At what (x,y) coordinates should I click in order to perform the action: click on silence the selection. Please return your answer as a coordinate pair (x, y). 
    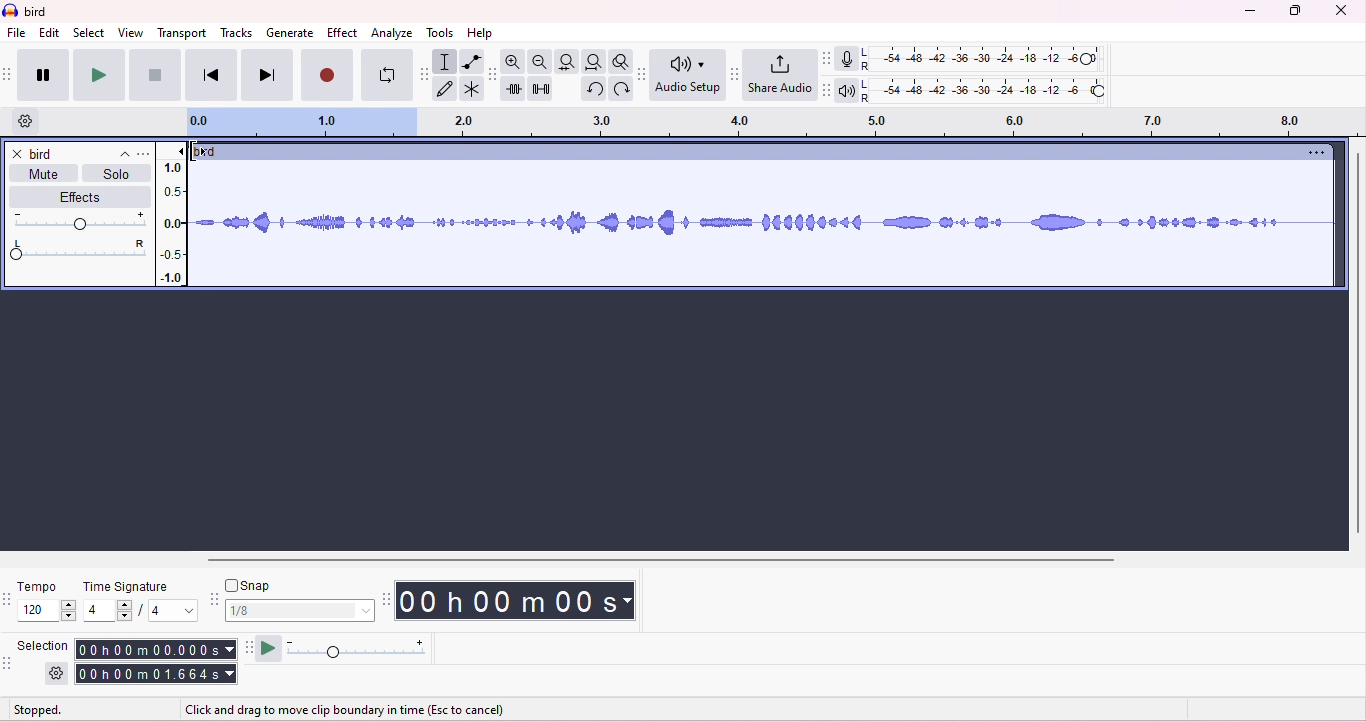
    Looking at the image, I should click on (541, 90).